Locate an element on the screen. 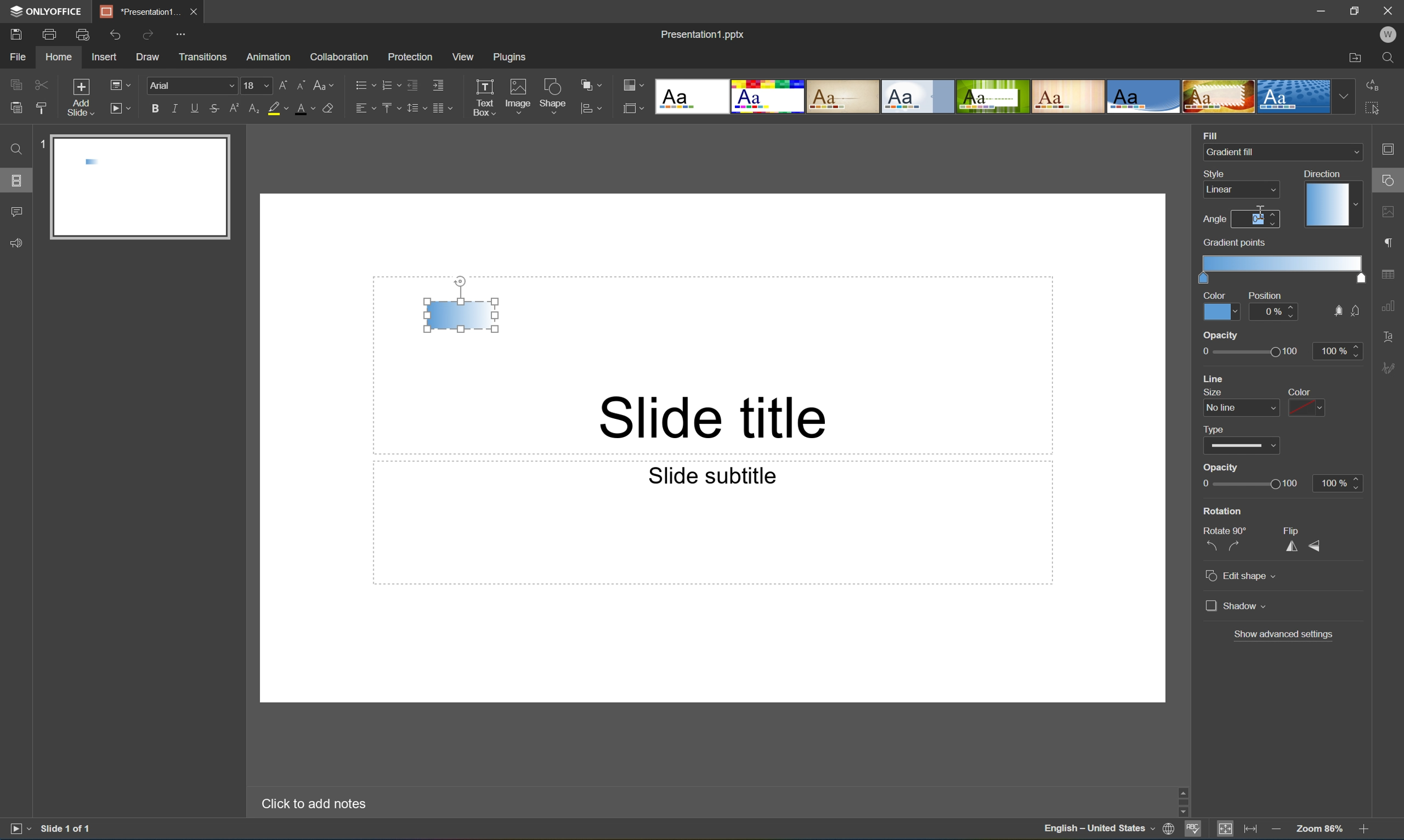 Image resolution: width=1404 pixels, height=840 pixels. Open file location is located at coordinates (1355, 59).